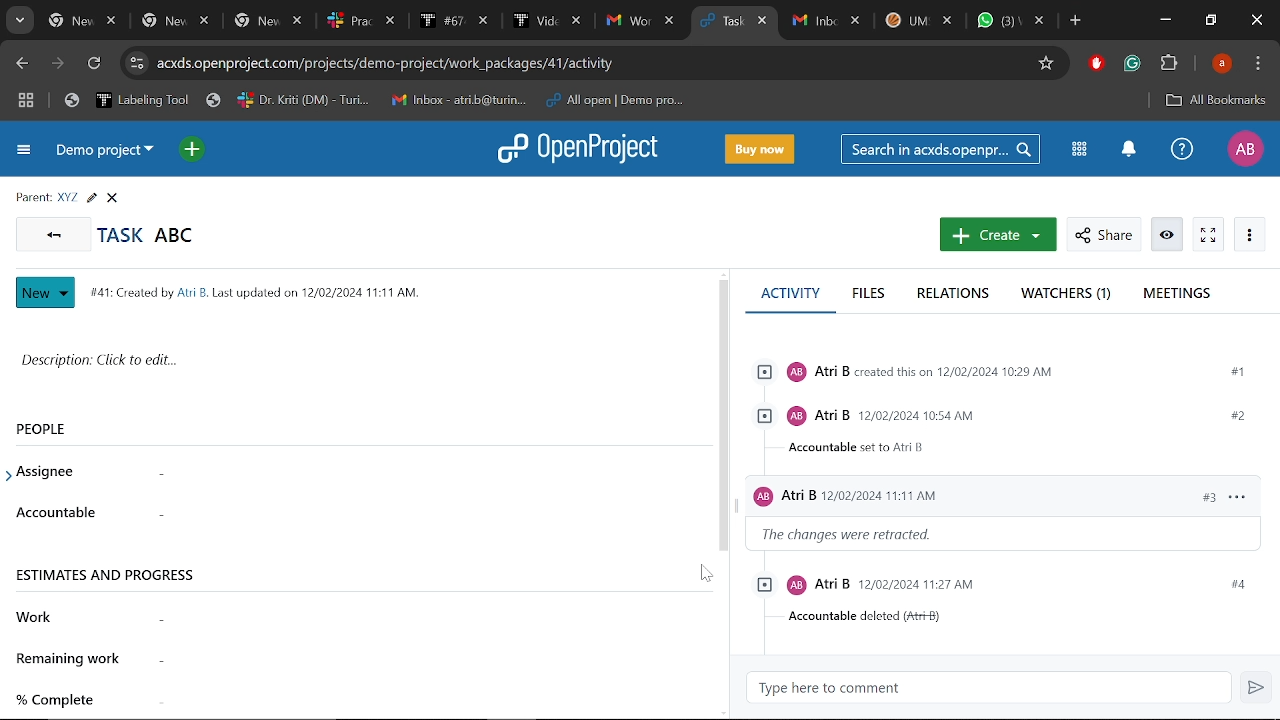  I want to click on ‘Accountable set to Atri B, so click(870, 449).